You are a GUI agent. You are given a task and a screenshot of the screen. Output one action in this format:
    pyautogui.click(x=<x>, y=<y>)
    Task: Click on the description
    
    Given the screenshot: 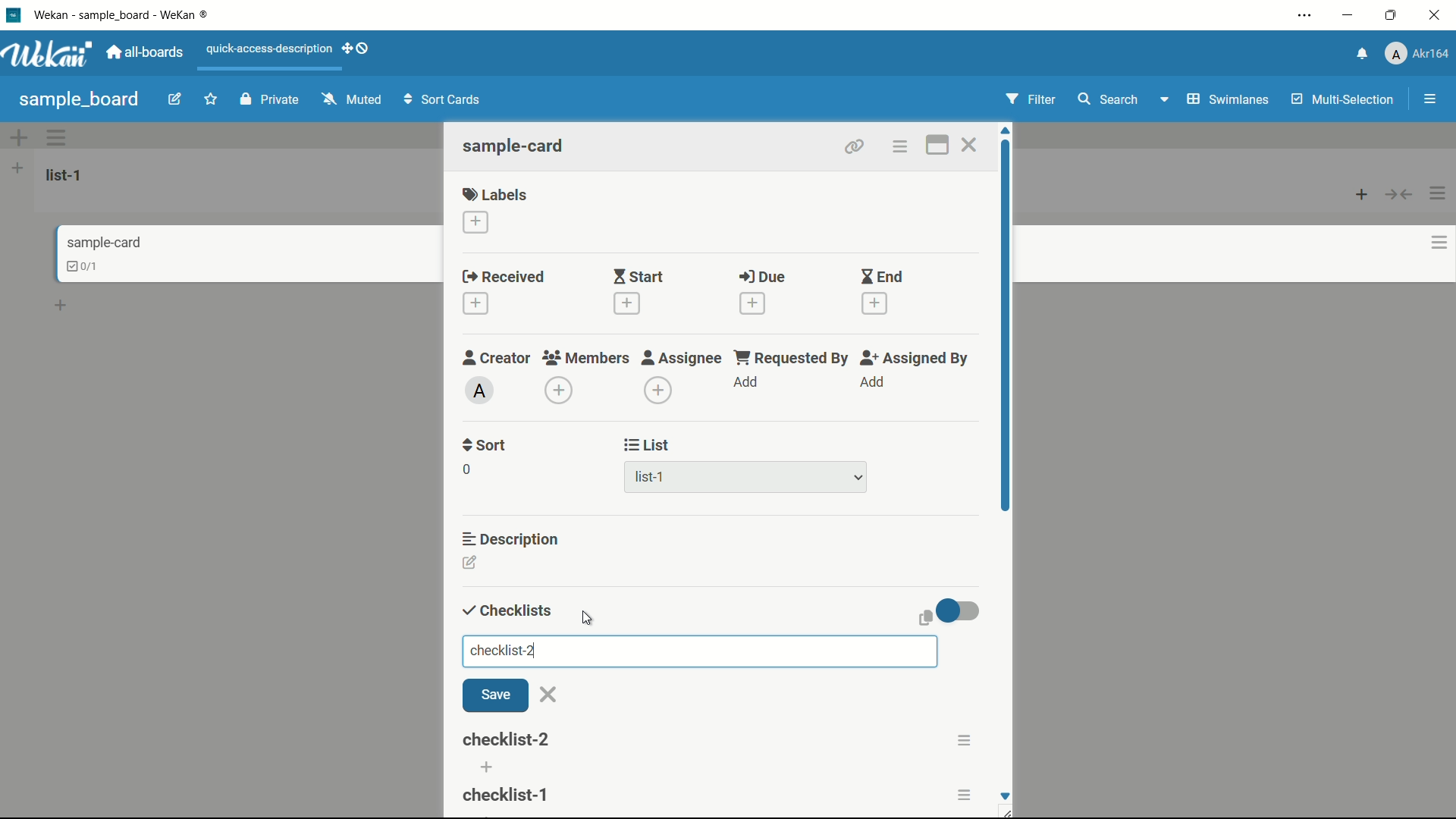 What is the action you would take?
    pyautogui.click(x=512, y=538)
    